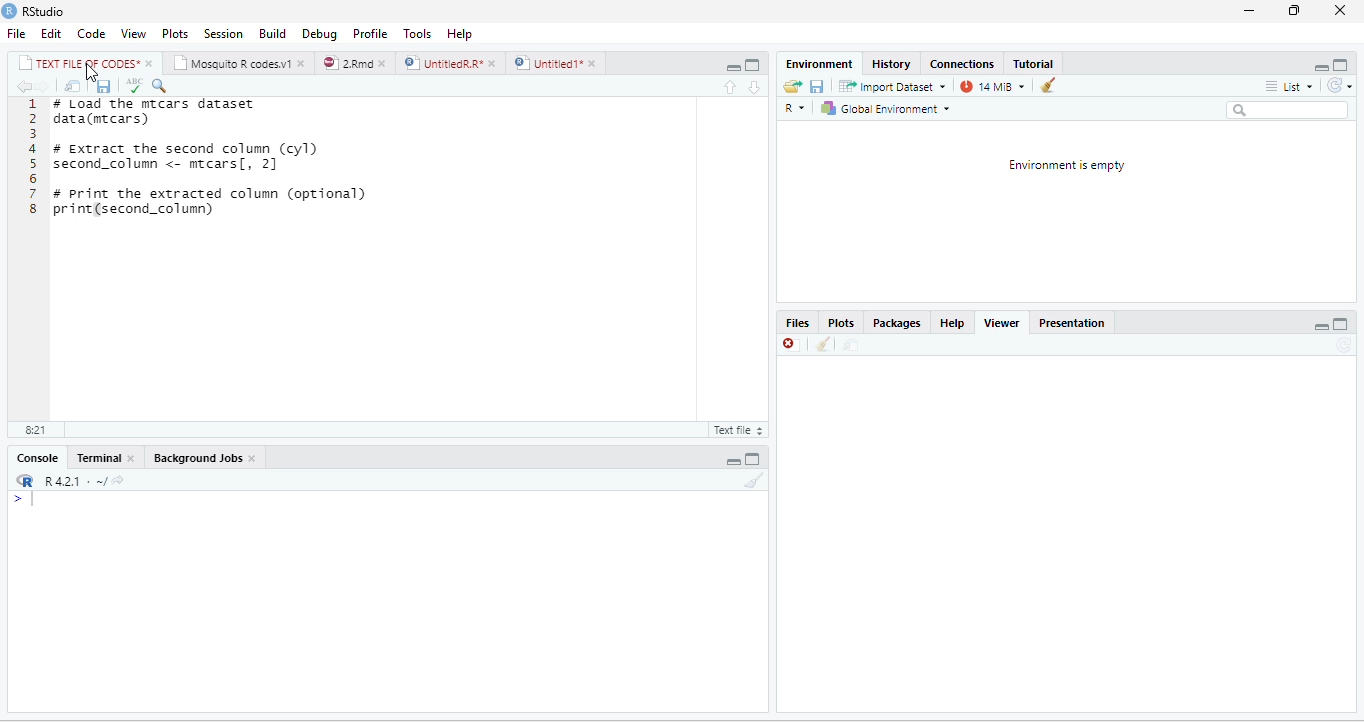 The image size is (1364, 722). I want to click on list, so click(1291, 87).